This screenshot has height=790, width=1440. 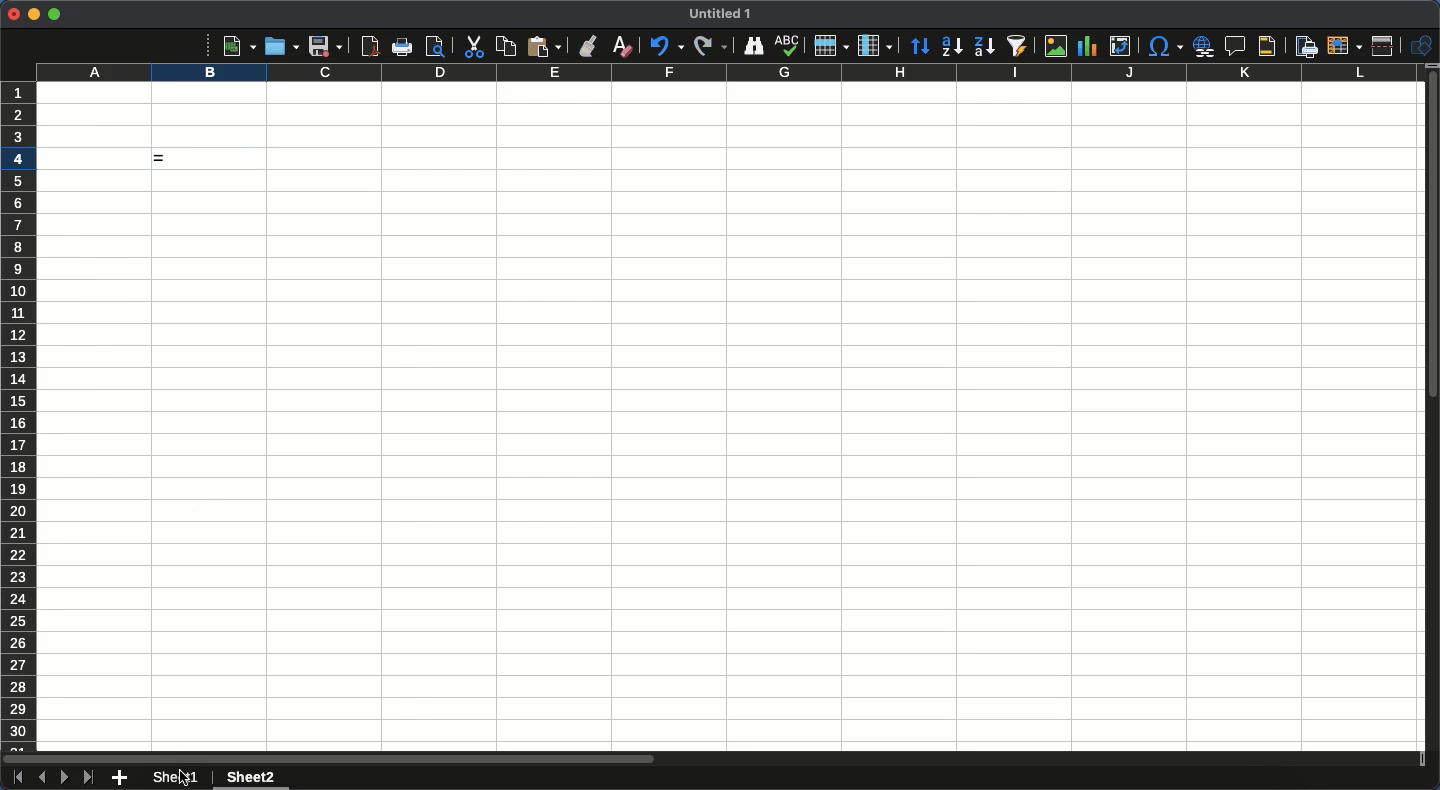 What do you see at coordinates (1345, 44) in the screenshot?
I see `Freeze rows and columns` at bounding box center [1345, 44].